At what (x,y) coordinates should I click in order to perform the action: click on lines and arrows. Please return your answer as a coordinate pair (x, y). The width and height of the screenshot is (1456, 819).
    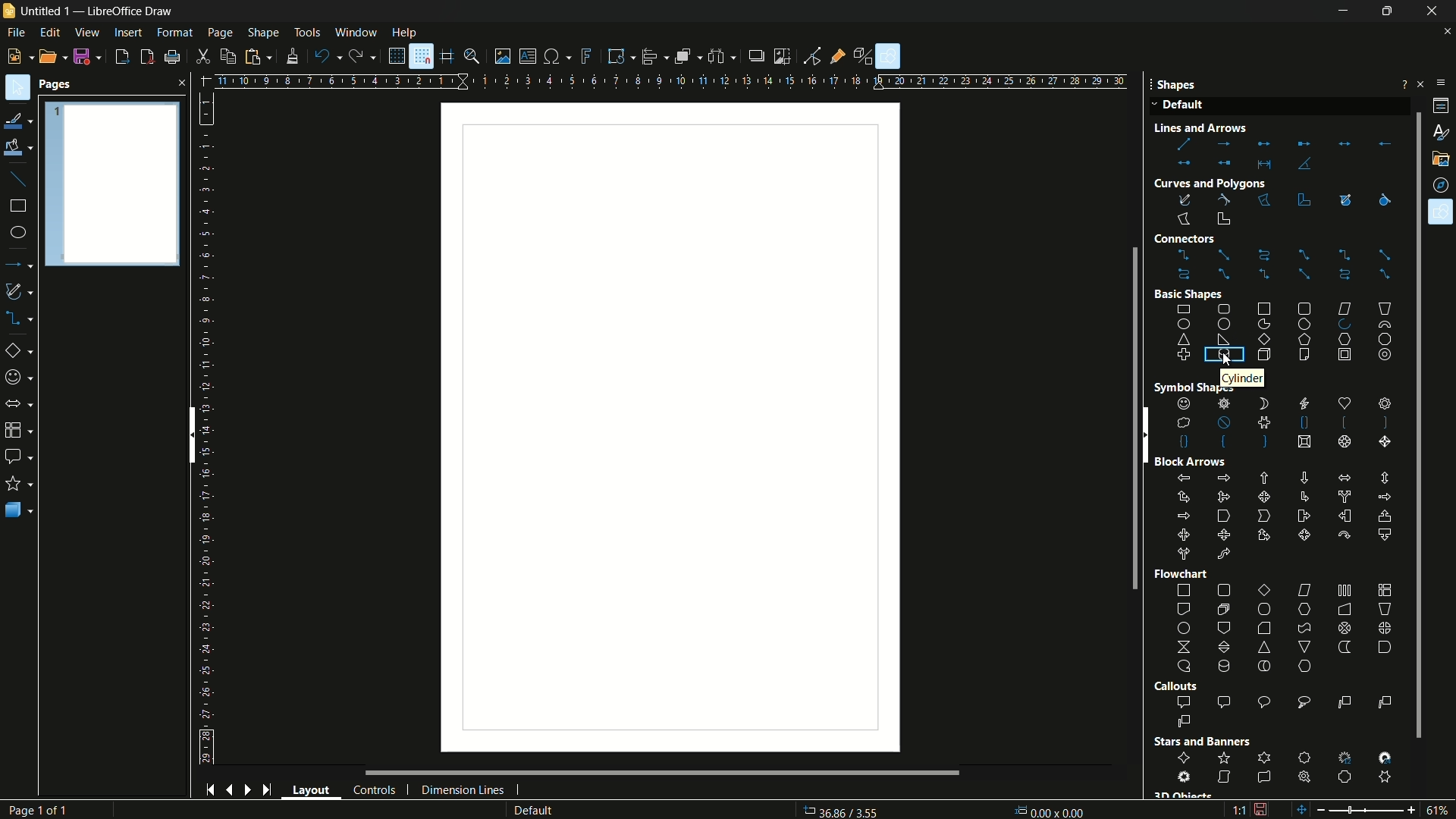
    Looking at the image, I should click on (20, 264).